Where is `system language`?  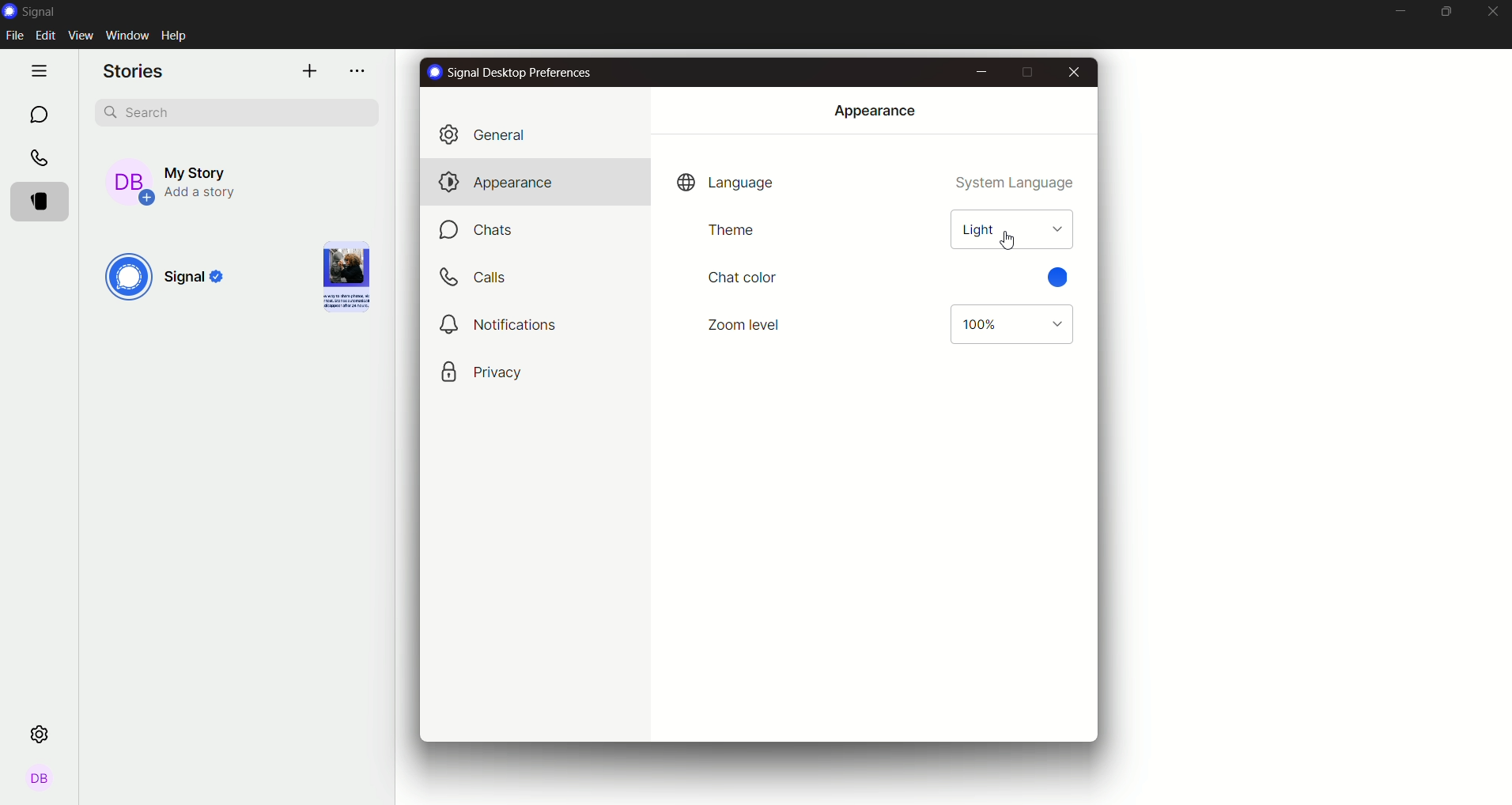 system language is located at coordinates (1017, 184).